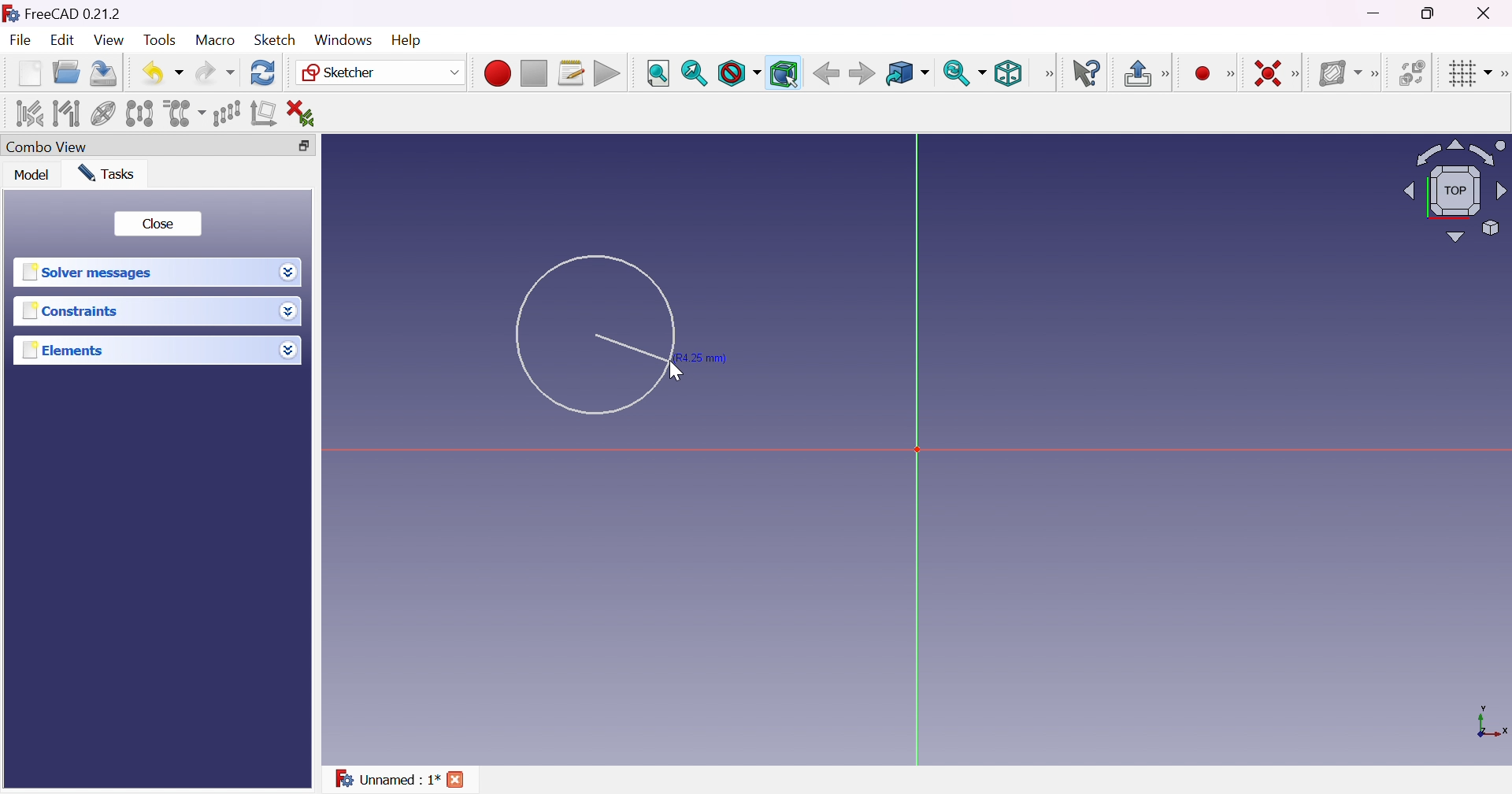 The width and height of the screenshot is (1512, 794). I want to click on Tasks, so click(107, 173).